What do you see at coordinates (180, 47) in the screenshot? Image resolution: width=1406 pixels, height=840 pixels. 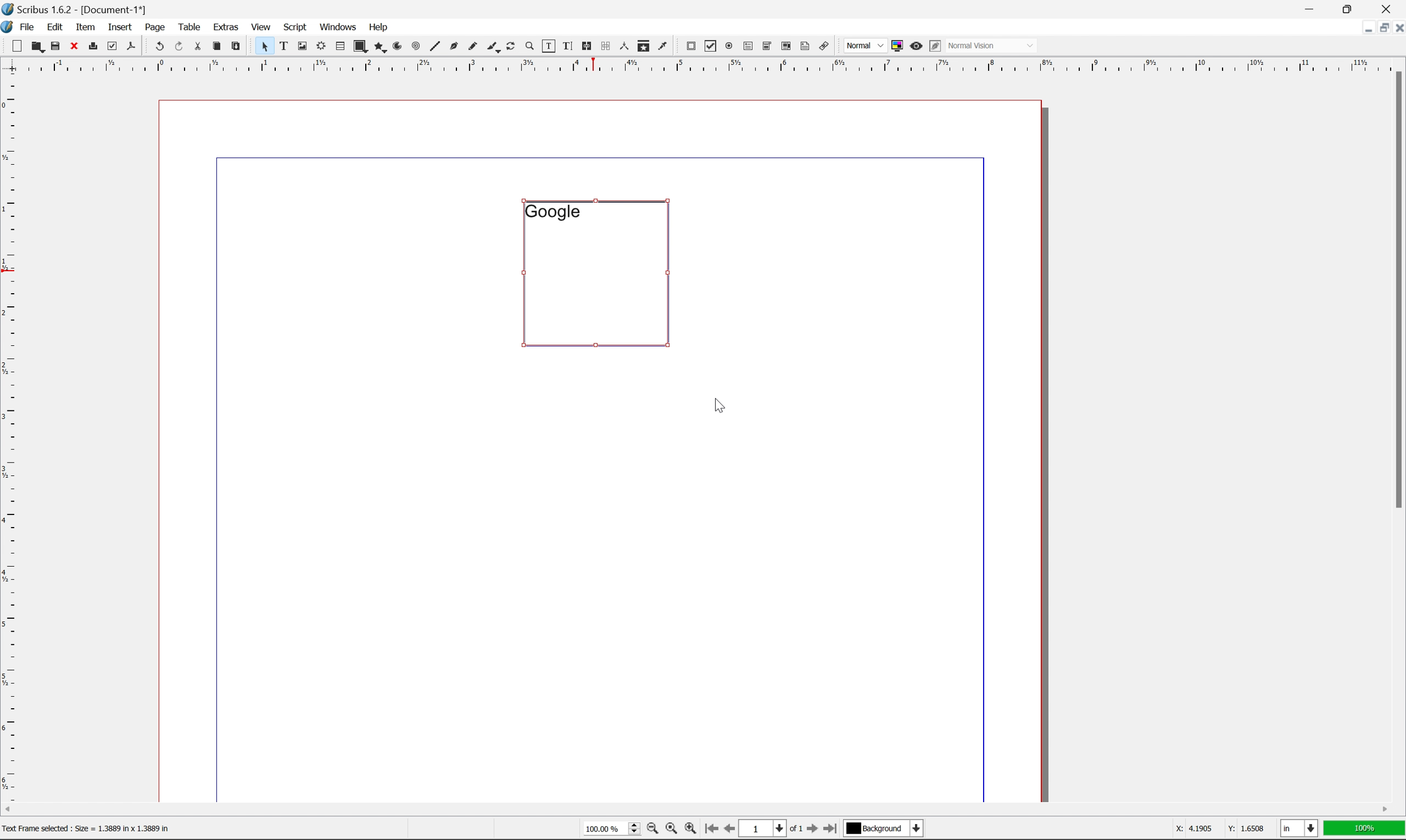 I see `redo` at bounding box center [180, 47].